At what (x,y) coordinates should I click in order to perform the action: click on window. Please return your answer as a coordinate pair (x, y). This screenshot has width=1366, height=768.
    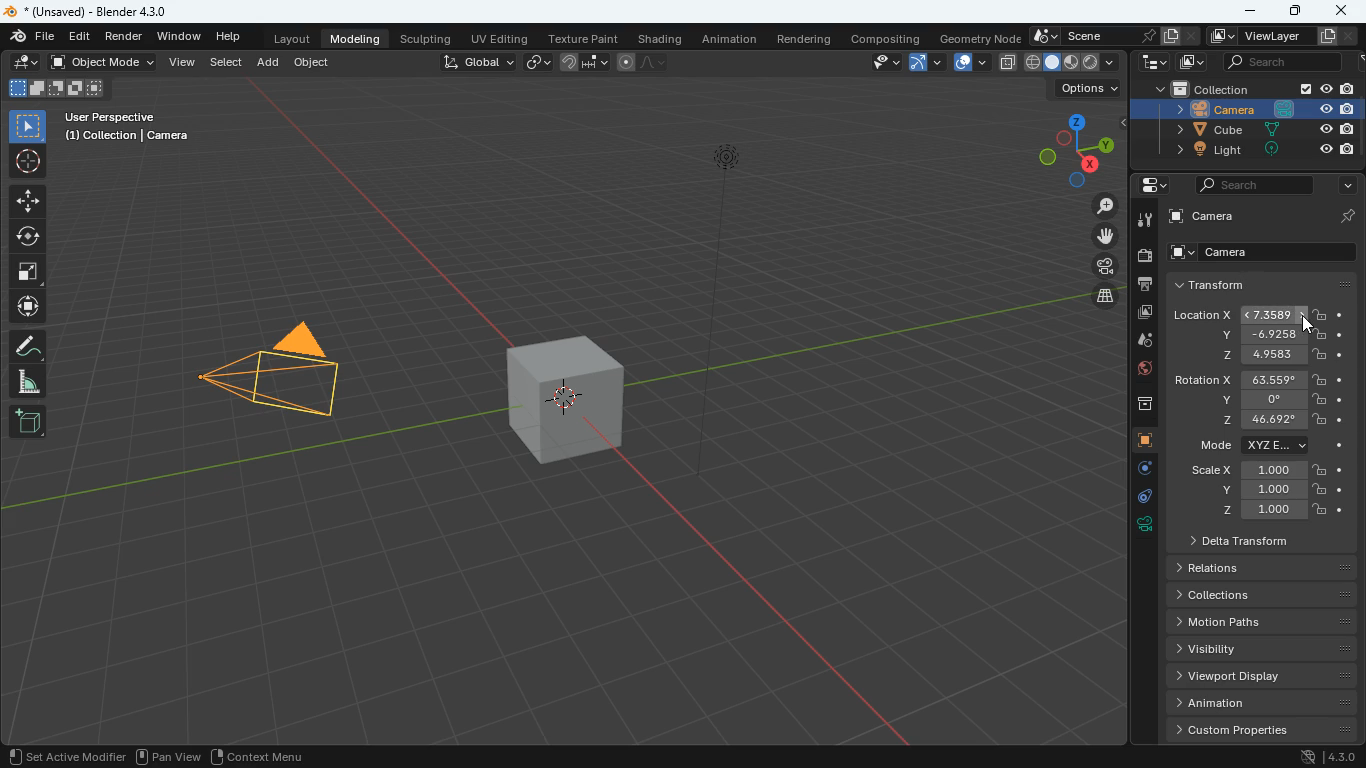
    Looking at the image, I should click on (180, 37).